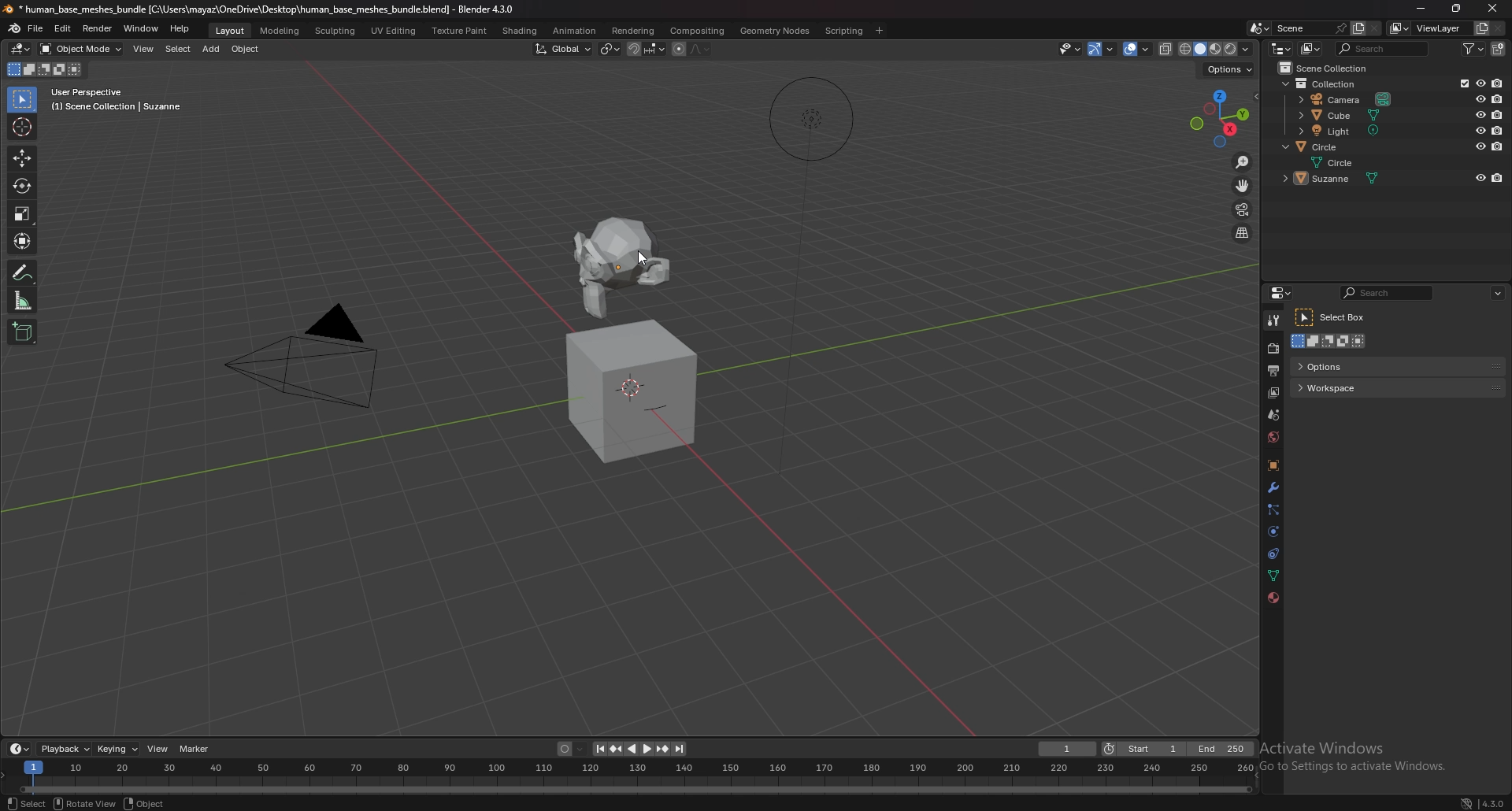 The height and width of the screenshot is (811, 1512). What do you see at coordinates (1273, 348) in the screenshot?
I see `render` at bounding box center [1273, 348].